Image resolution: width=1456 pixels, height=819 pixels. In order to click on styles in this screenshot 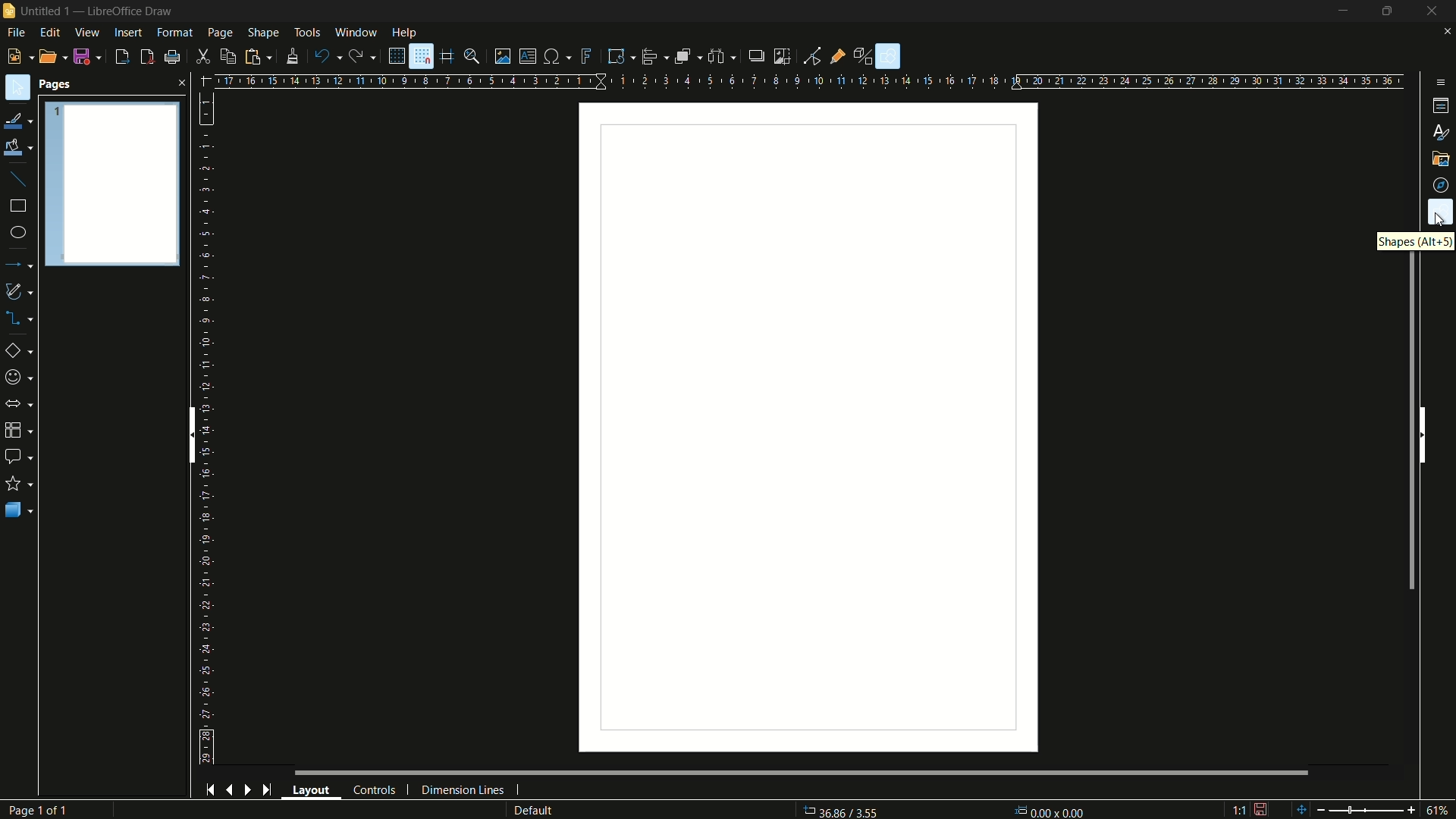, I will do `click(1439, 131)`.